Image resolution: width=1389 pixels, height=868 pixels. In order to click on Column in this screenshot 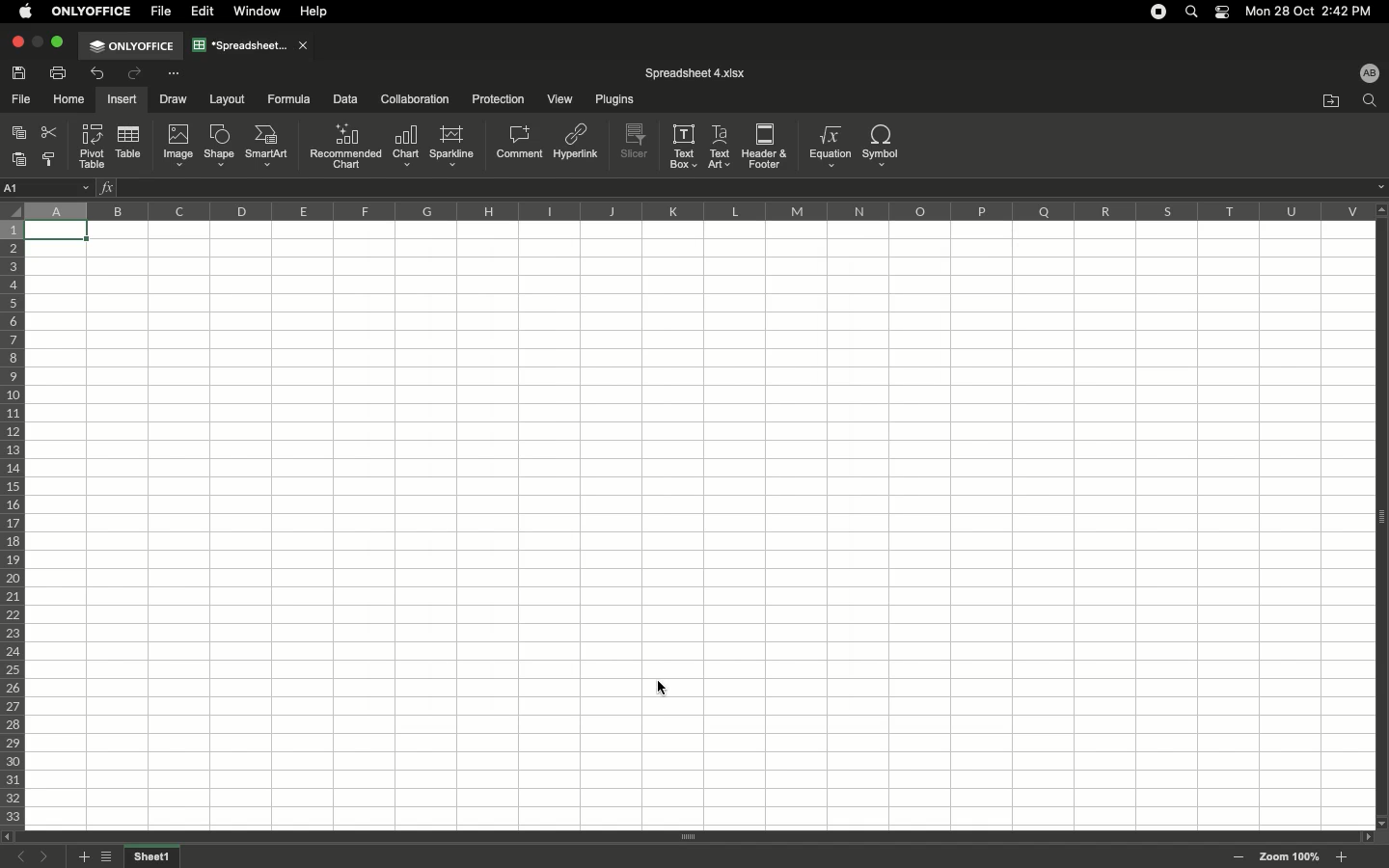, I will do `click(694, 210)`.